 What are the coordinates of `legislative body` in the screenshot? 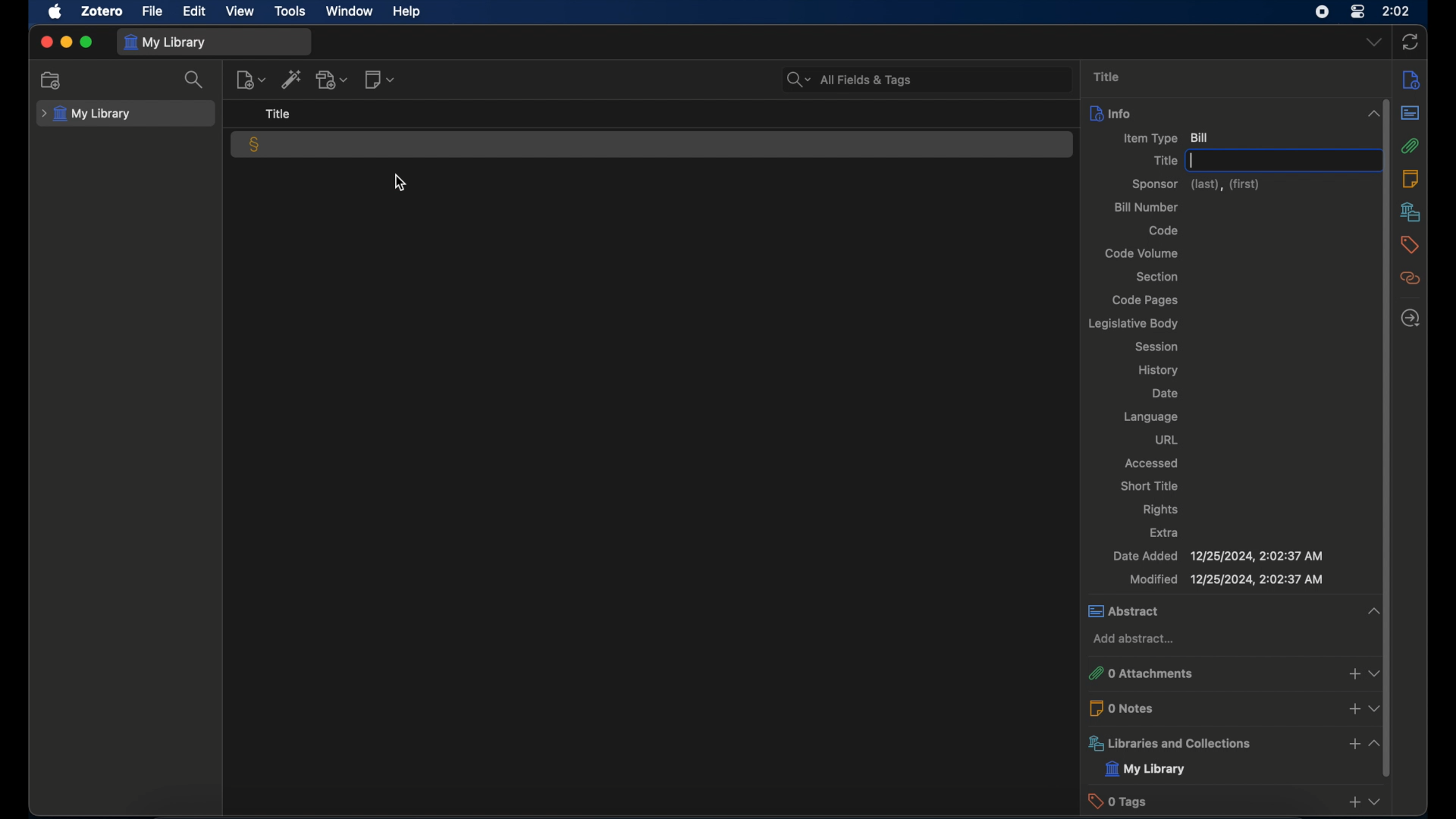 It's located at (1131, 324).